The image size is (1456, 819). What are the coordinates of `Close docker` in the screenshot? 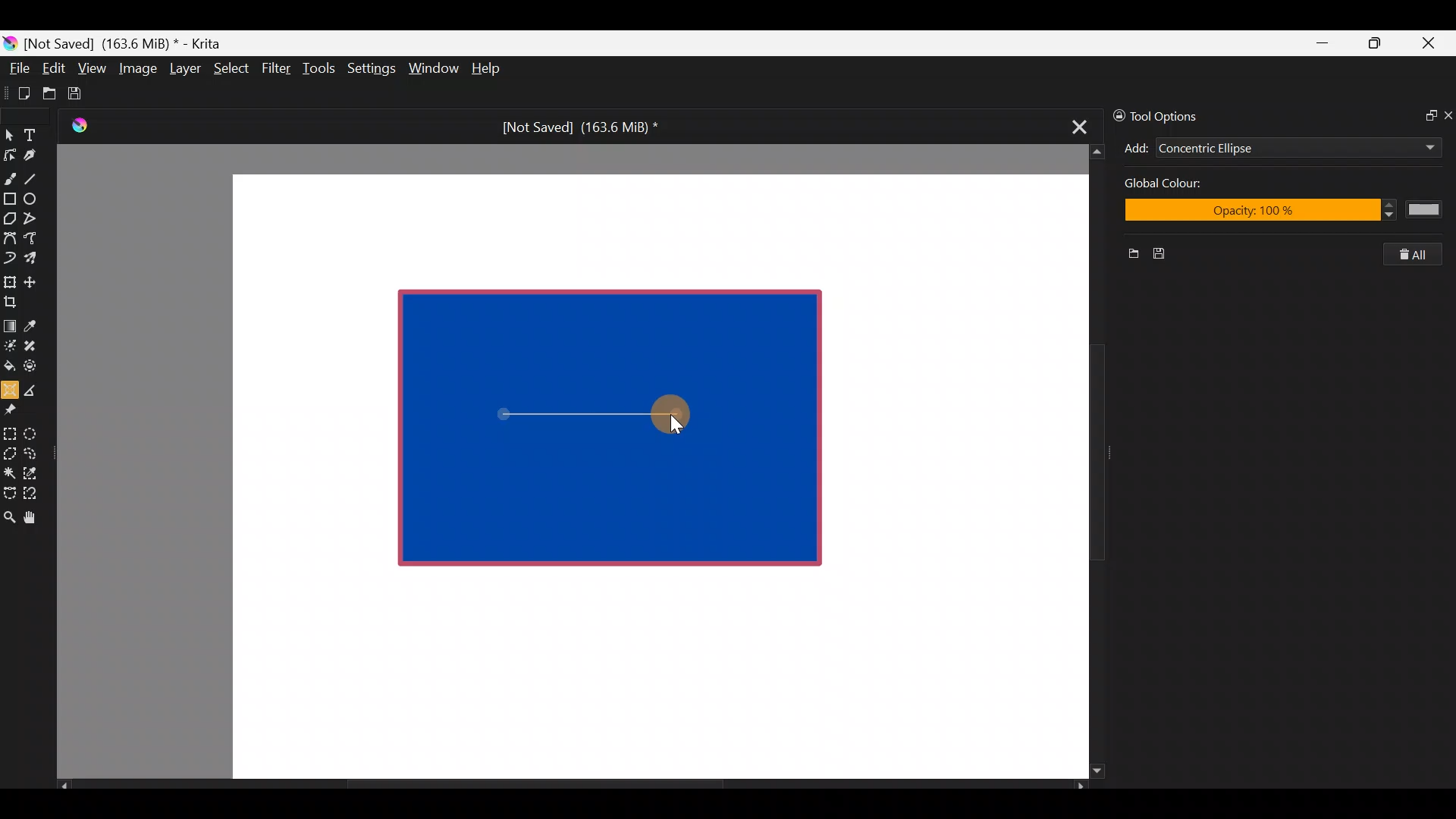 It's located at (1447, 115).